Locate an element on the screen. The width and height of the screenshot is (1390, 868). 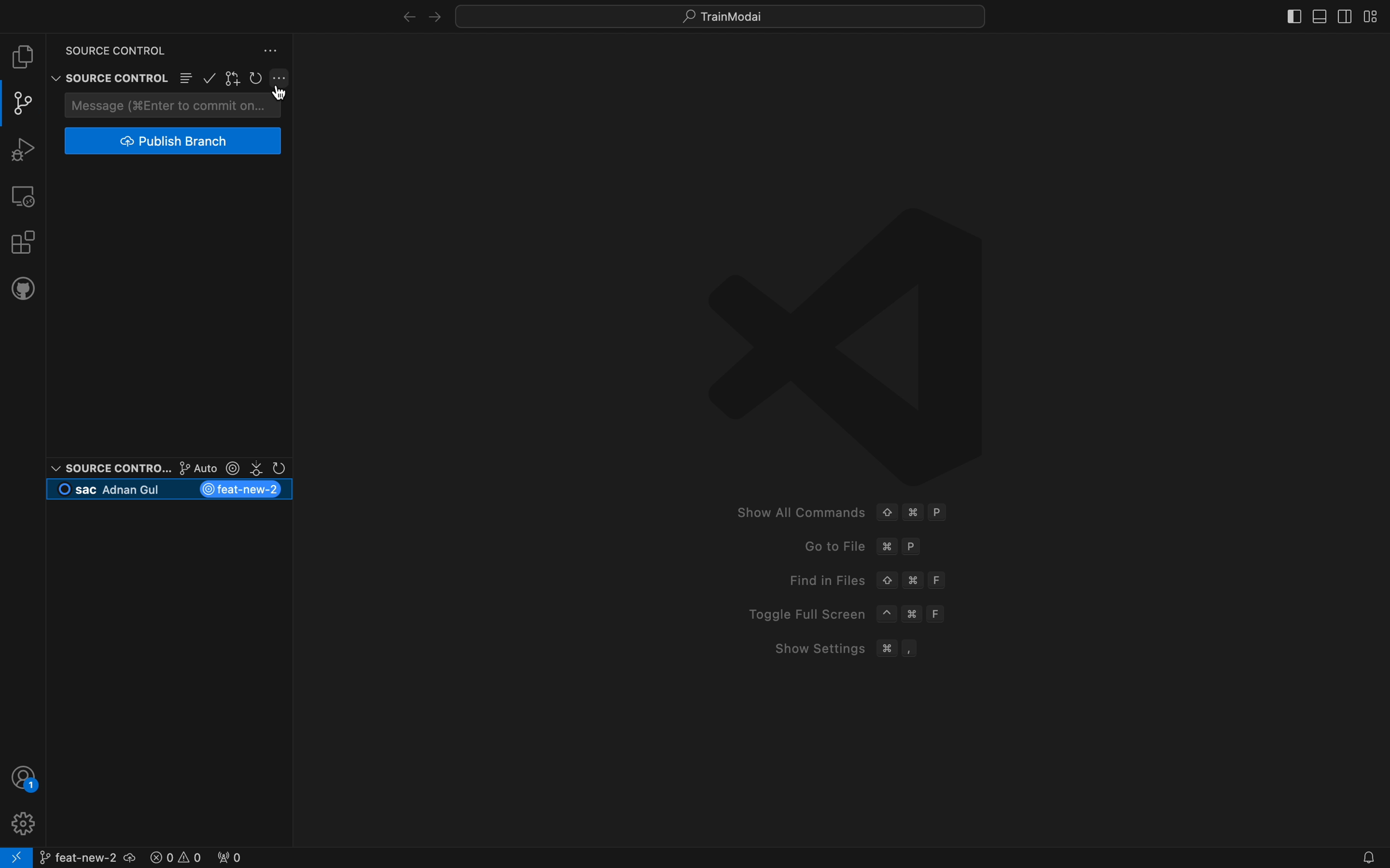
profile is located at coordinates (25, 777).